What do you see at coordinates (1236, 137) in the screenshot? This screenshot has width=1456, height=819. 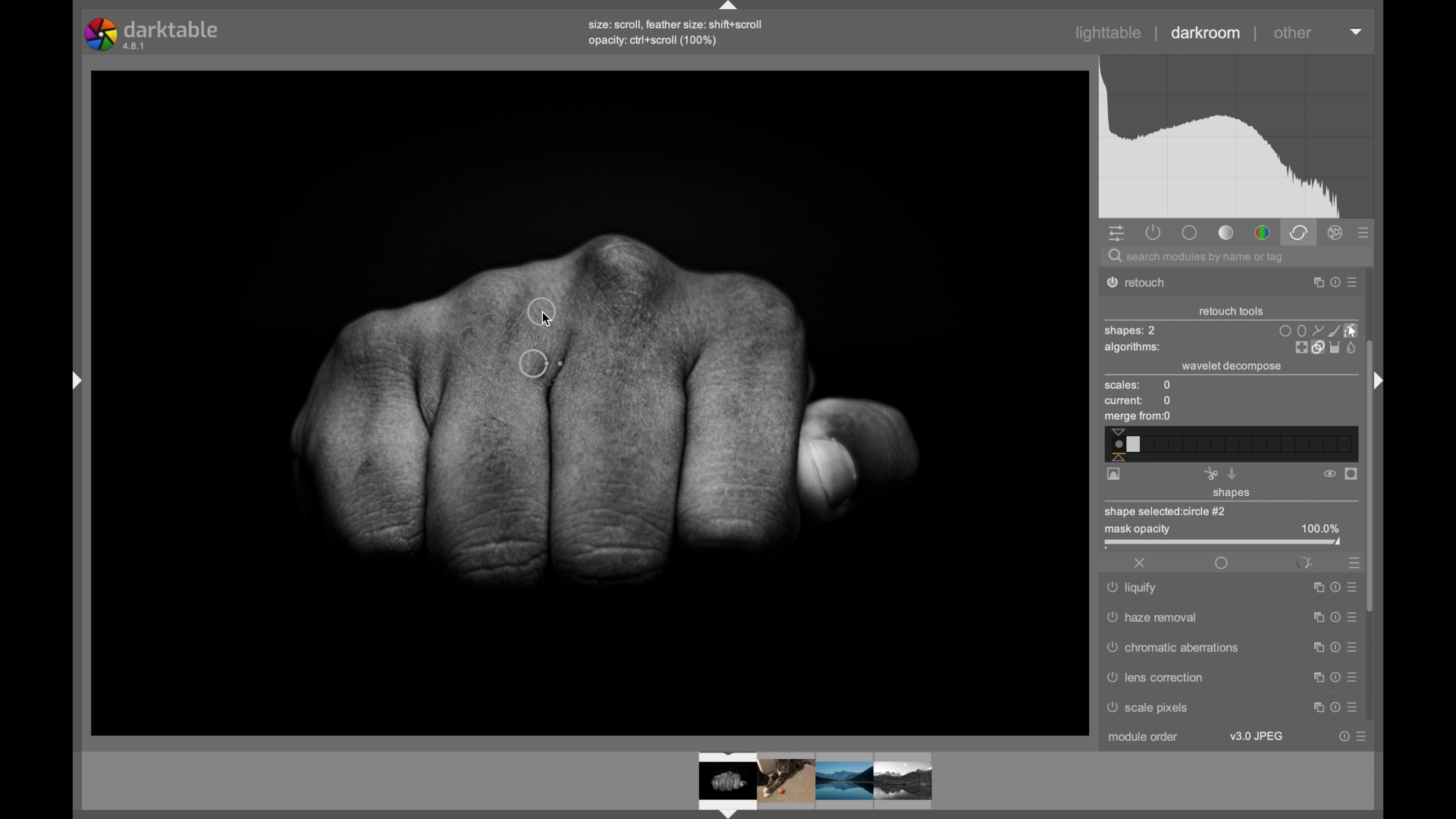 I see `histogram` at bounding box center [1236, 137].